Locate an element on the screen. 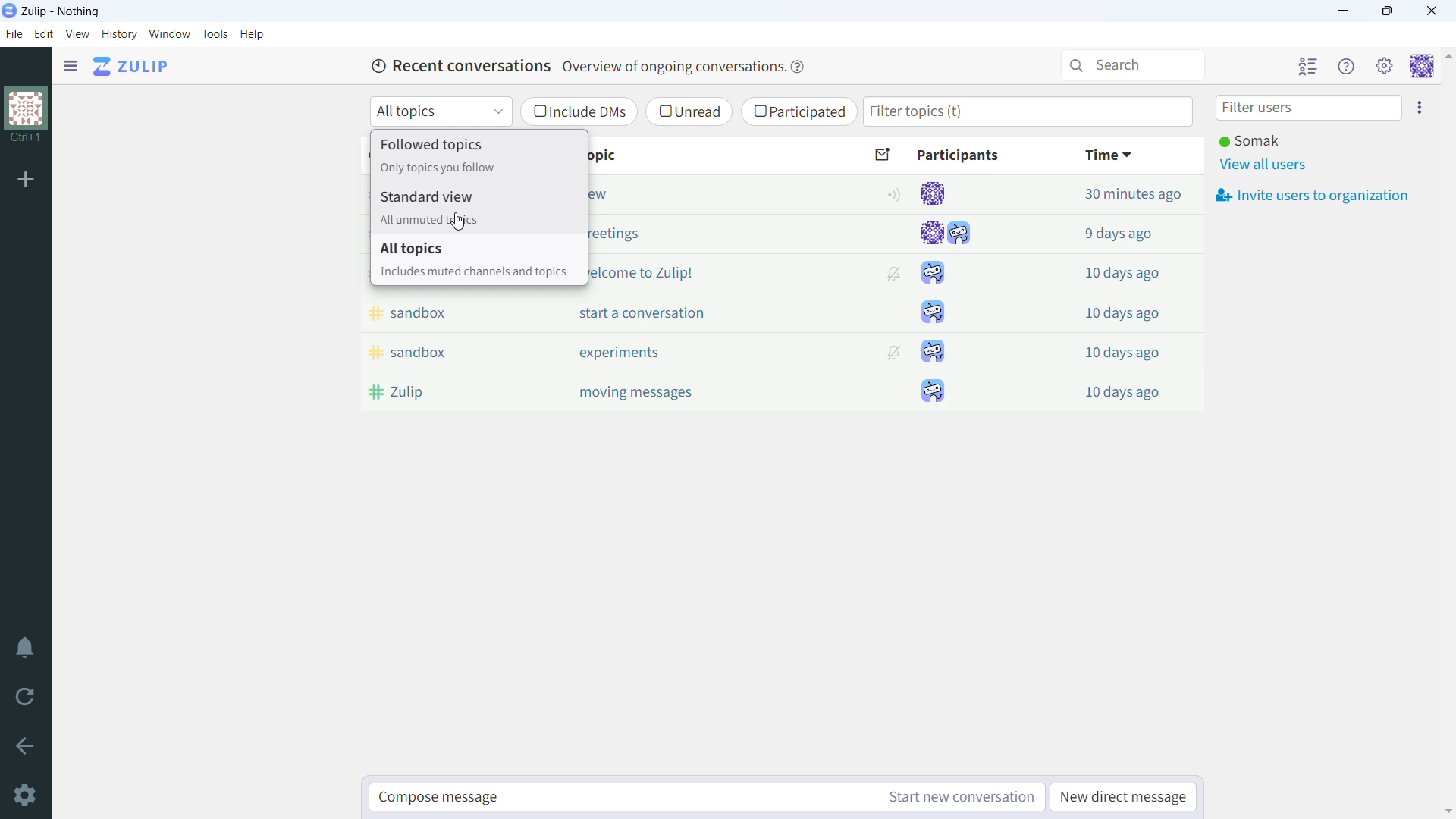  muted is located at coordinates (892, 352).